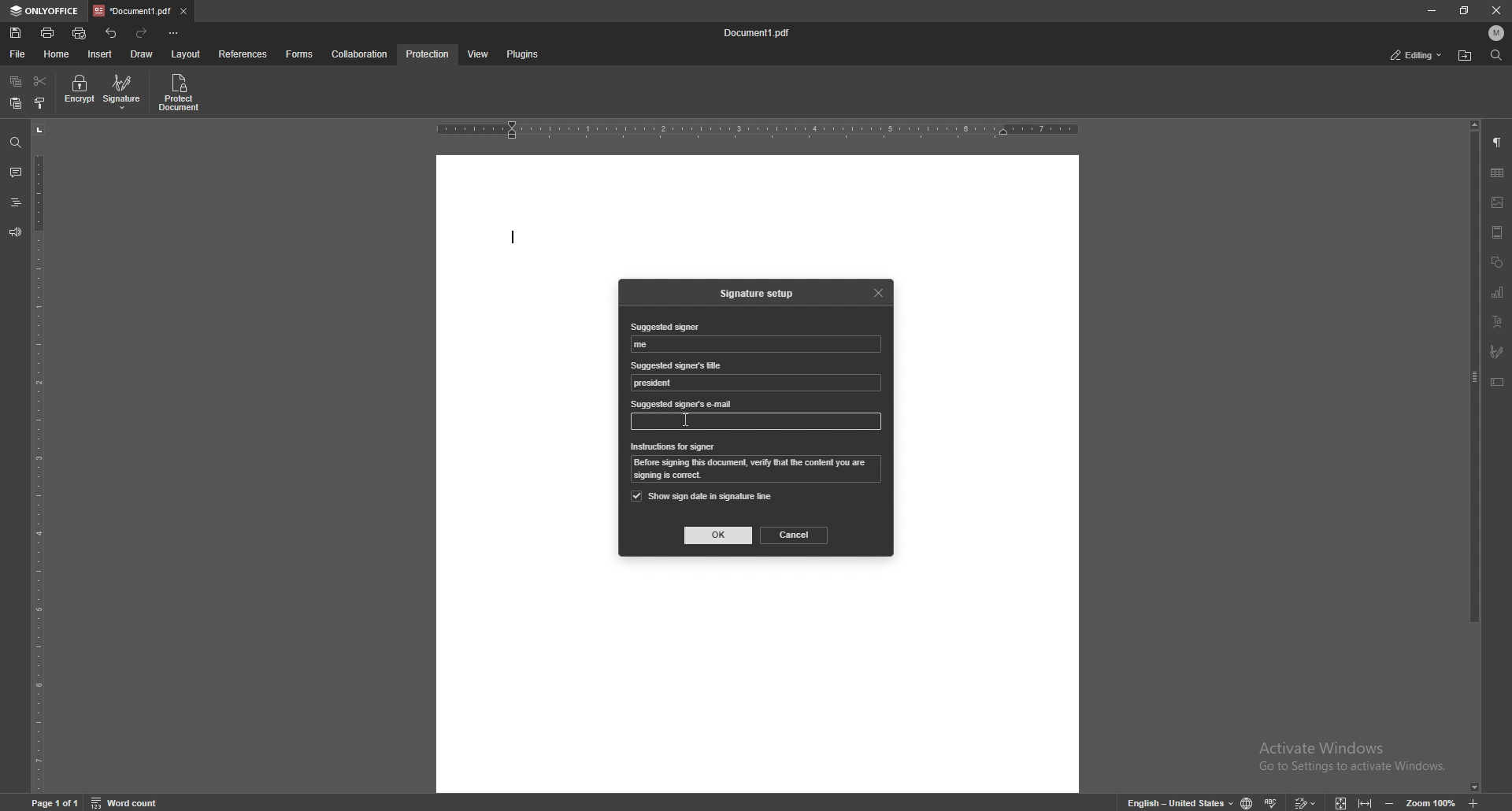 The height and width of the screenshot is (811, 1512). Describe the element at coordinates (181, 92) in the screenshot. I see `protect document` at that location.